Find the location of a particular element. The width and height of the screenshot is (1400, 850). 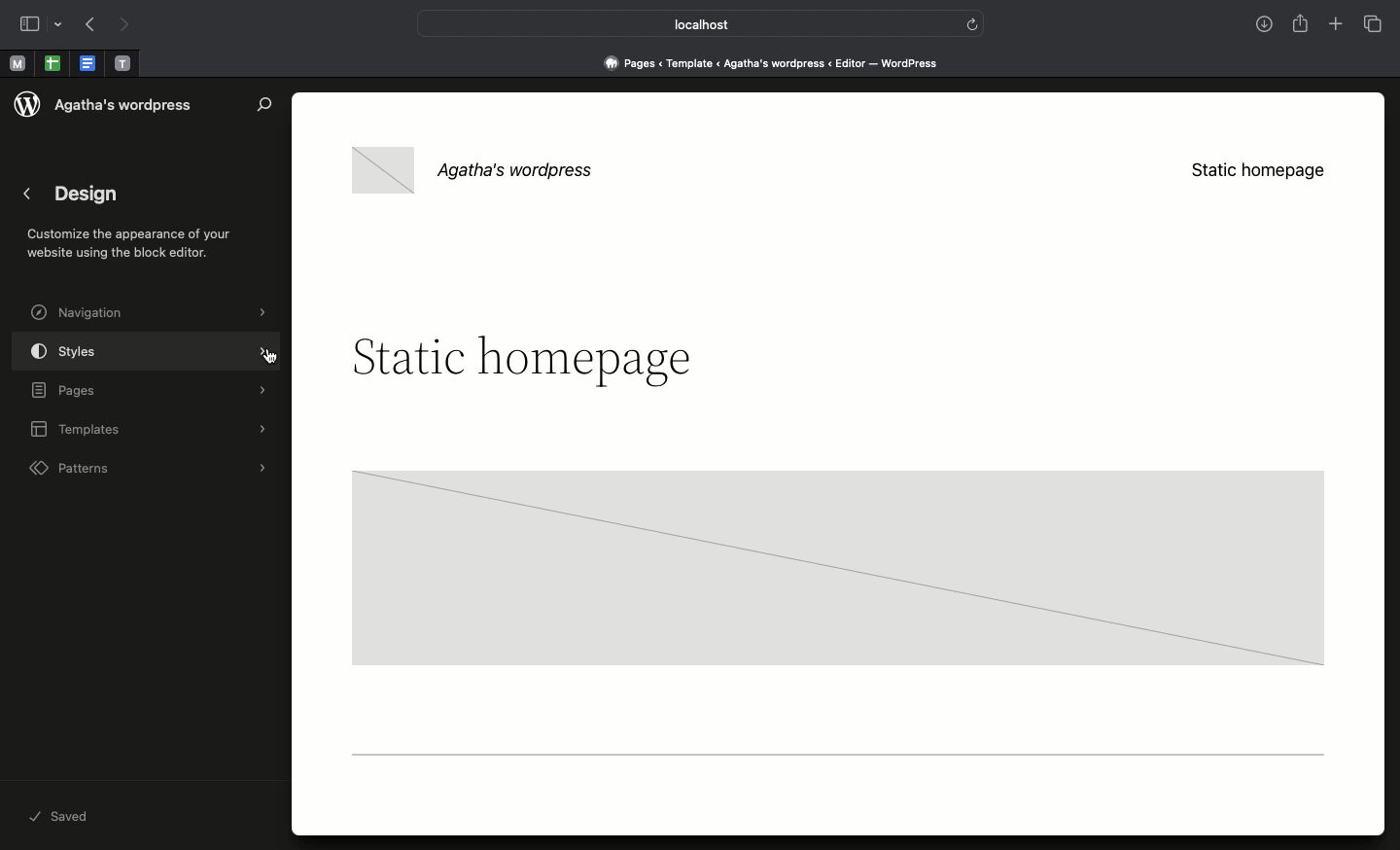

Tabs is located at coordinates (1375, 24).